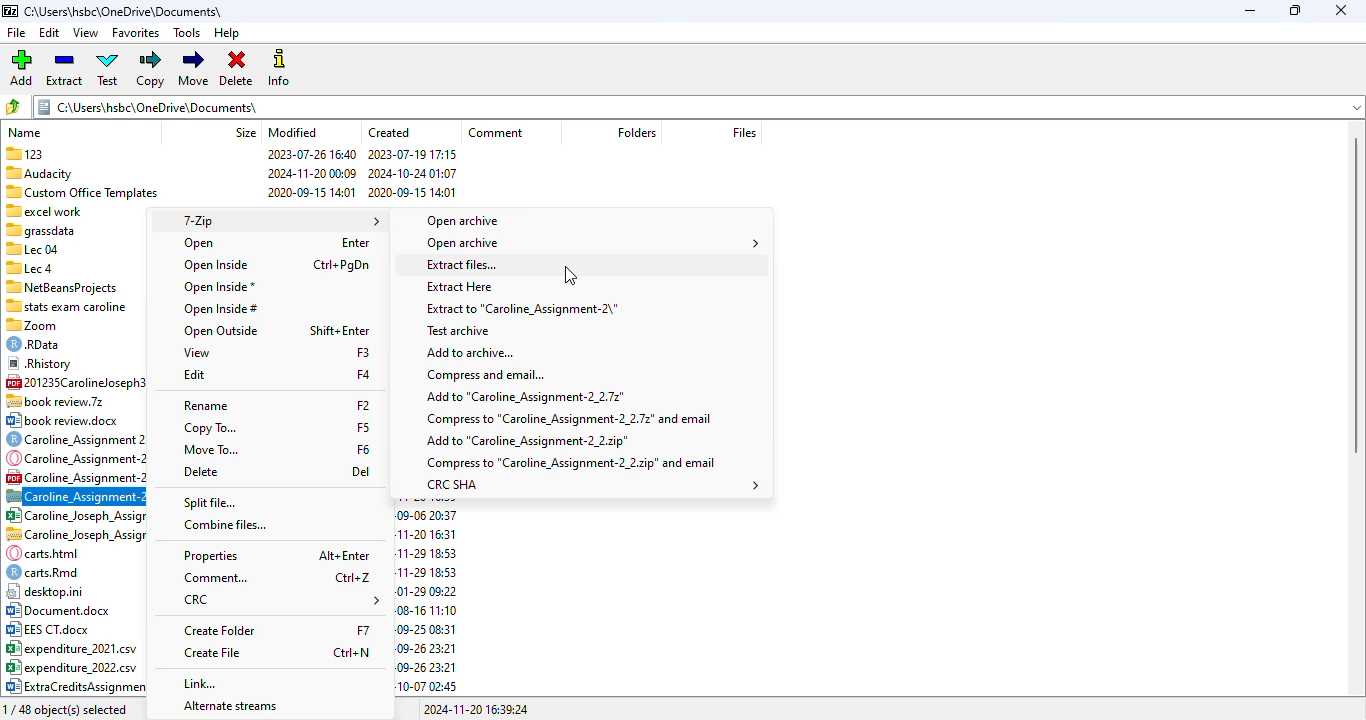 The width and height of the screenshot is (1366, 720). Describe the element at coordinates (9, 11) in the screenshot. I see `logo` at that location.